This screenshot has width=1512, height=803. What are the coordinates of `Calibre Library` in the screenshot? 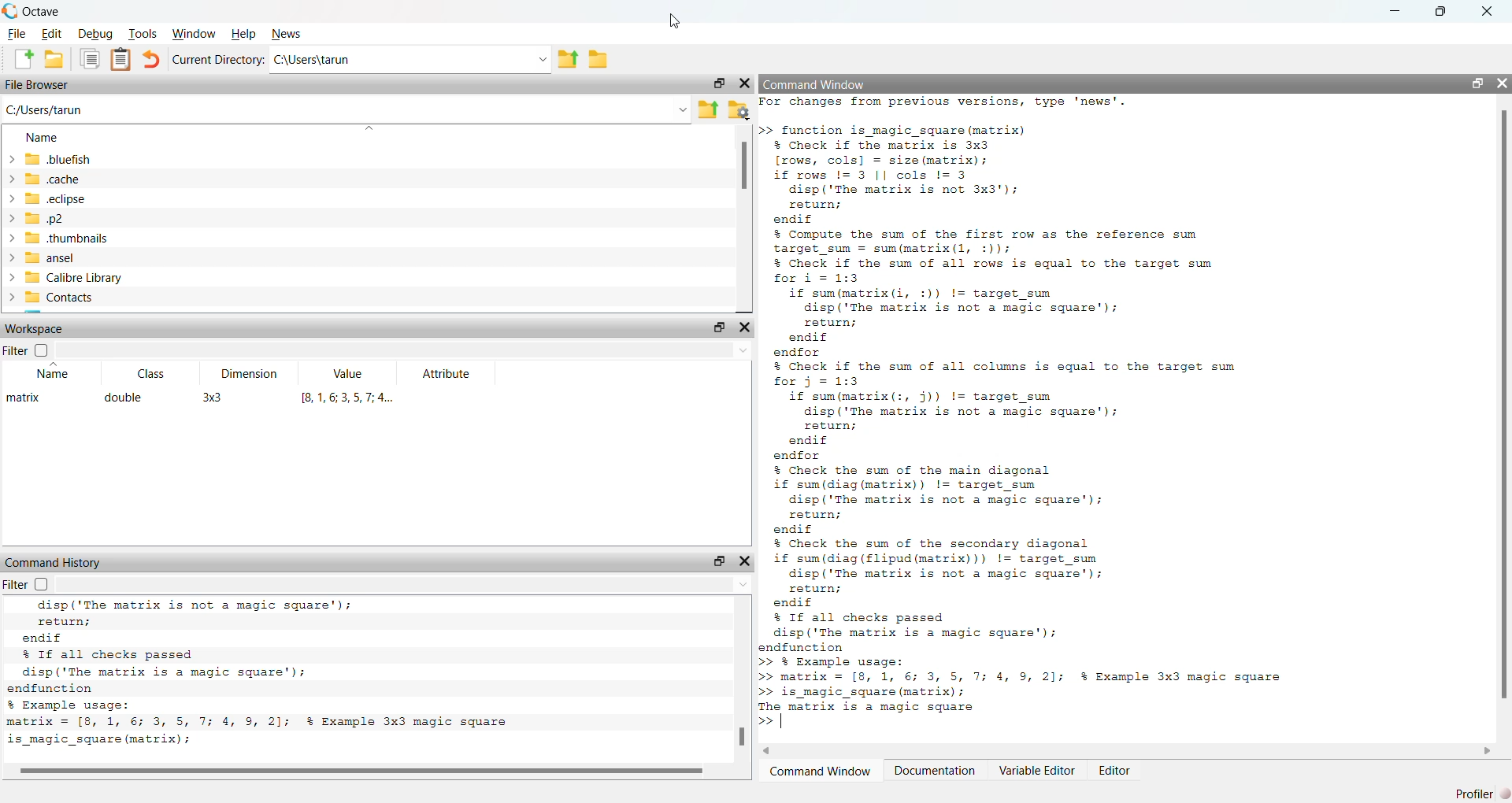 It's located at (63, 277).